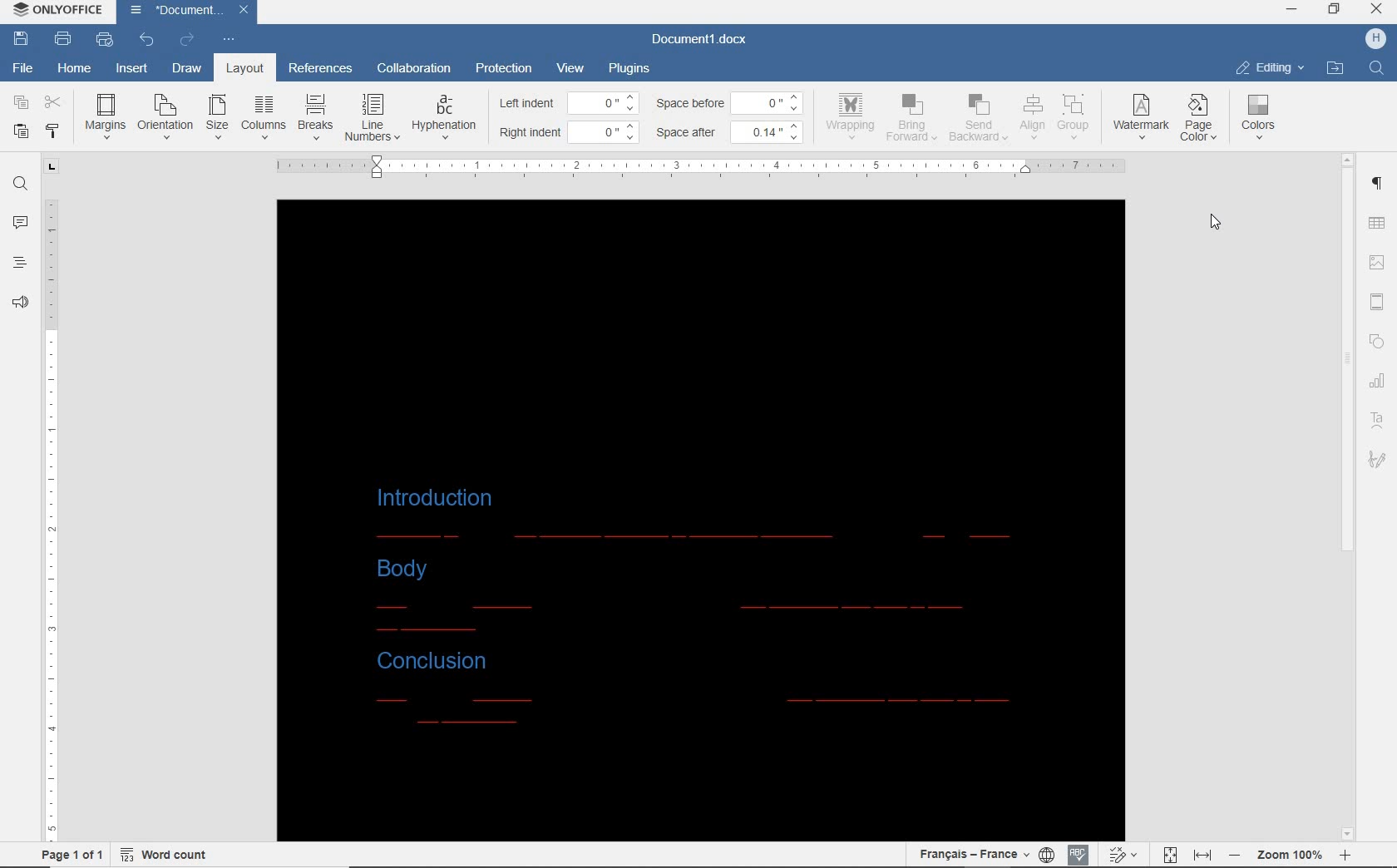 This screenshot has width=1397, height=868. Describe the element at coordinates (24, 69) in the screenshot. I see `file` at that location.